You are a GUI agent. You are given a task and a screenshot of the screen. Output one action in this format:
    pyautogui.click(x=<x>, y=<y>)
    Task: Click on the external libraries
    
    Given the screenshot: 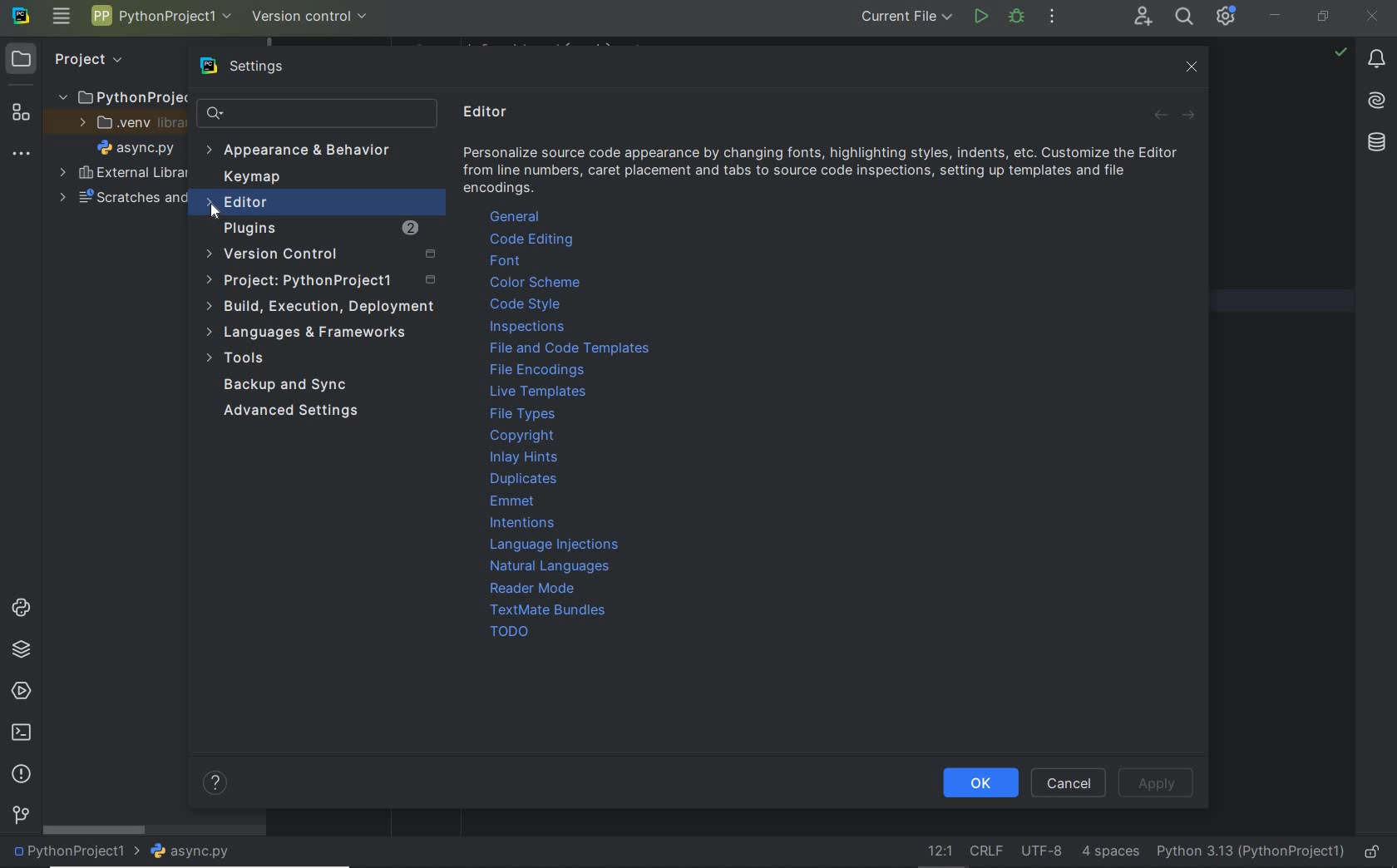 What is the action you would take?
    pyautogui.click(x=122, y=173)
    